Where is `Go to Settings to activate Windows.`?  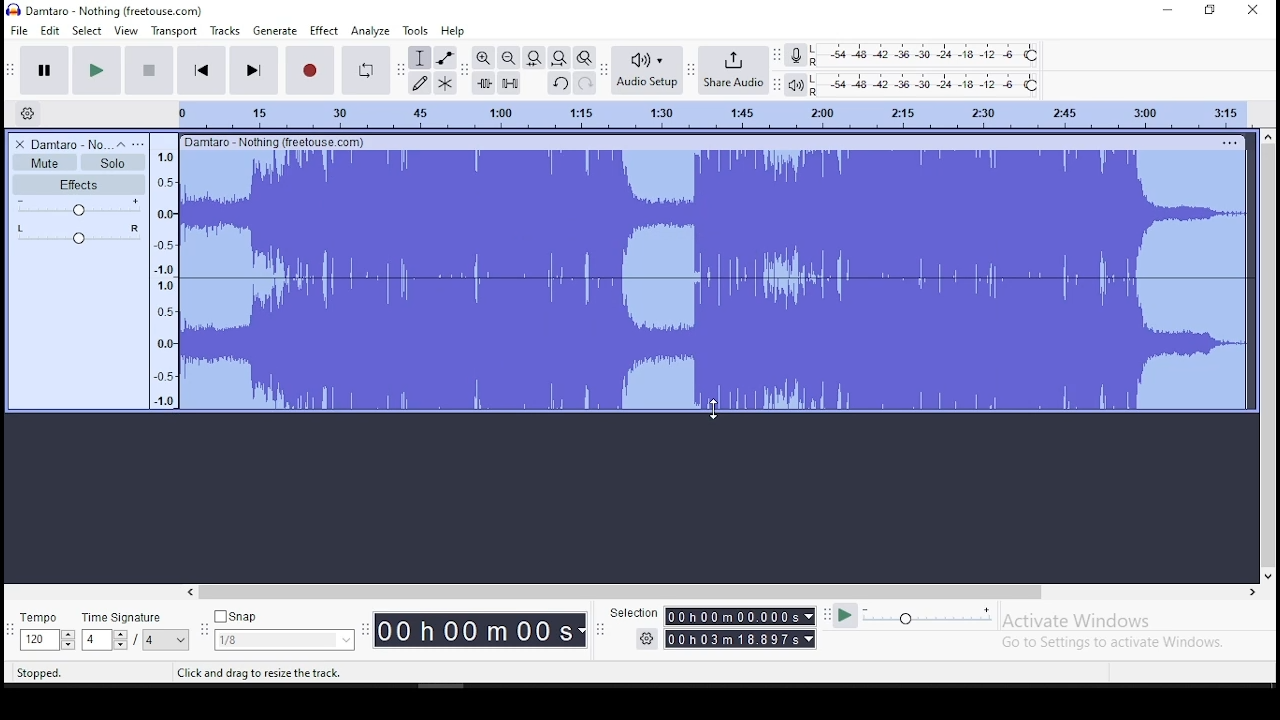 Go to Settings to activate Windows. is located at coordinates (1114, 644).